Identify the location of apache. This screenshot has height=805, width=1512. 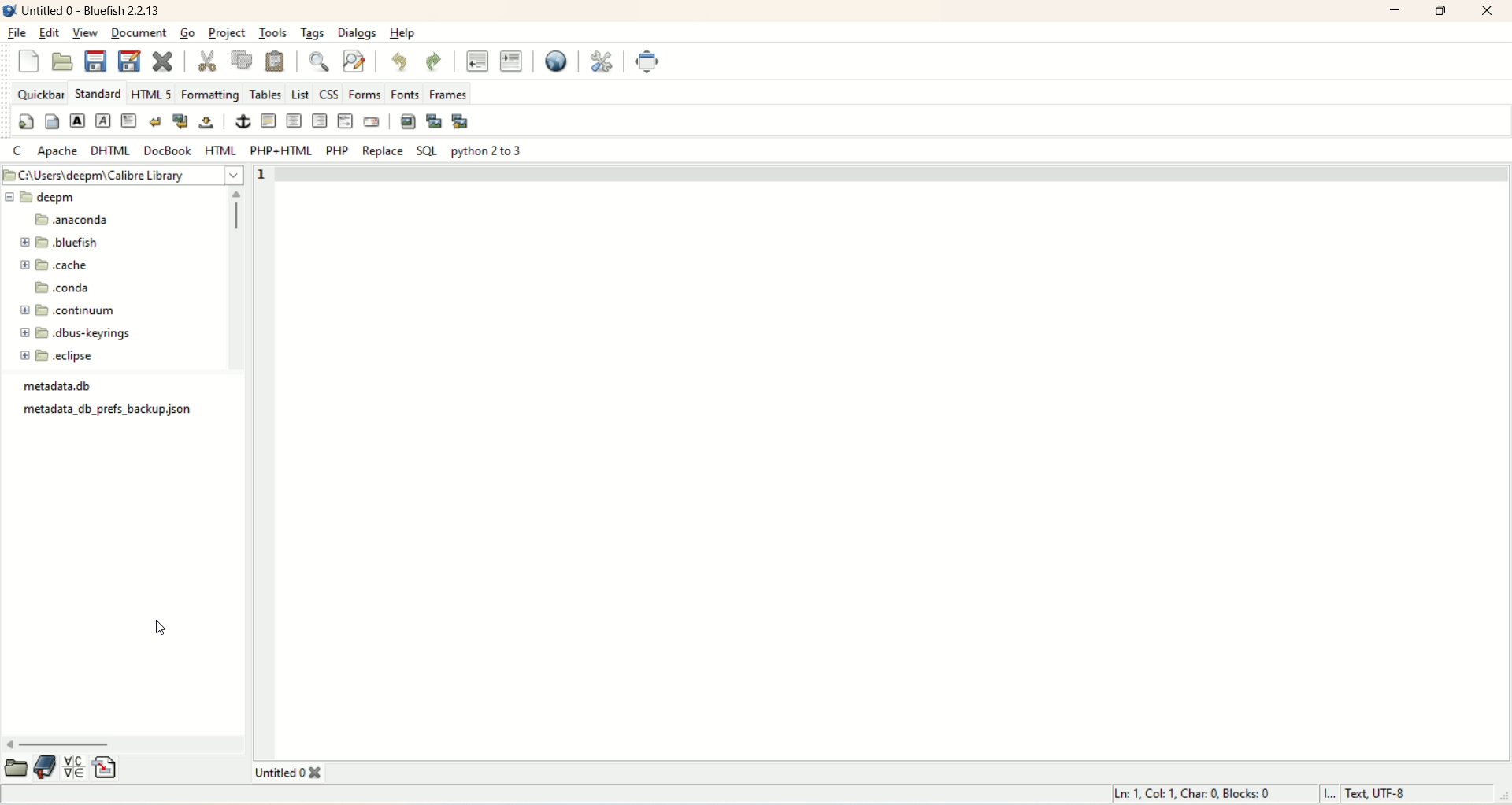
(58, 150).